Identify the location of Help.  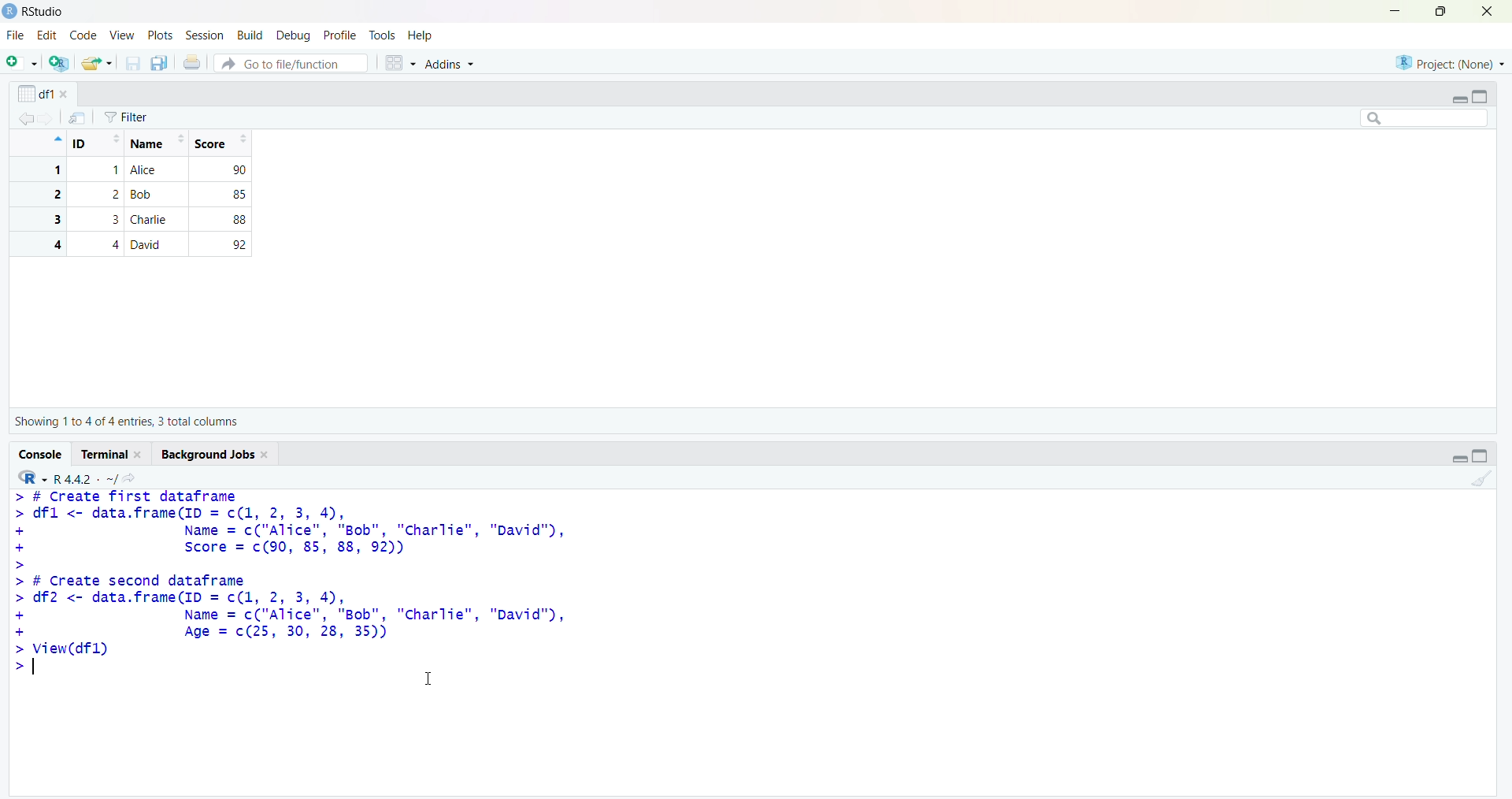
(420, 35).